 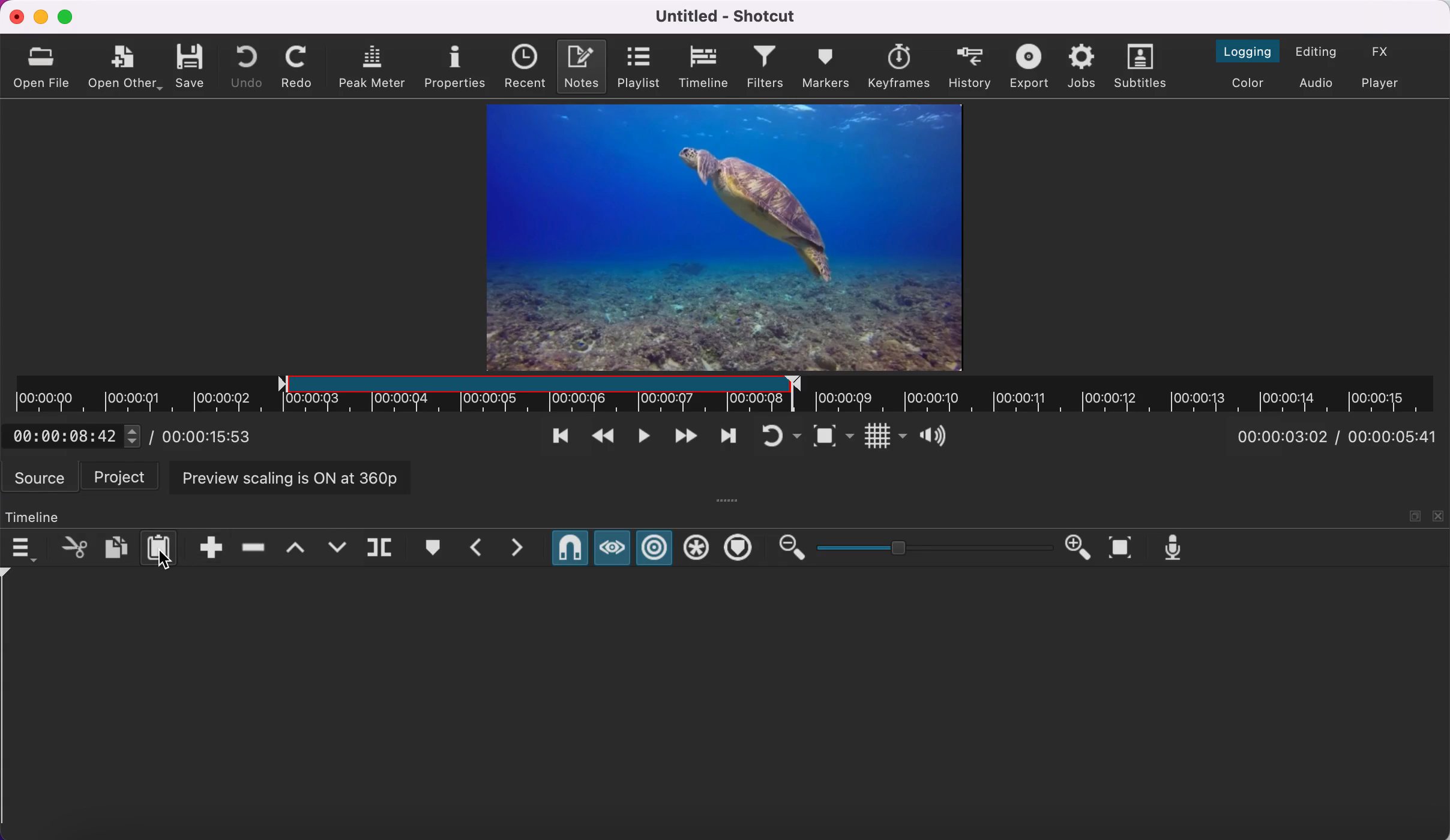 What do you see at coordinates (612, 547) in the screenshot?
I see `scrub while dragging` at bounding box center [612, 547].